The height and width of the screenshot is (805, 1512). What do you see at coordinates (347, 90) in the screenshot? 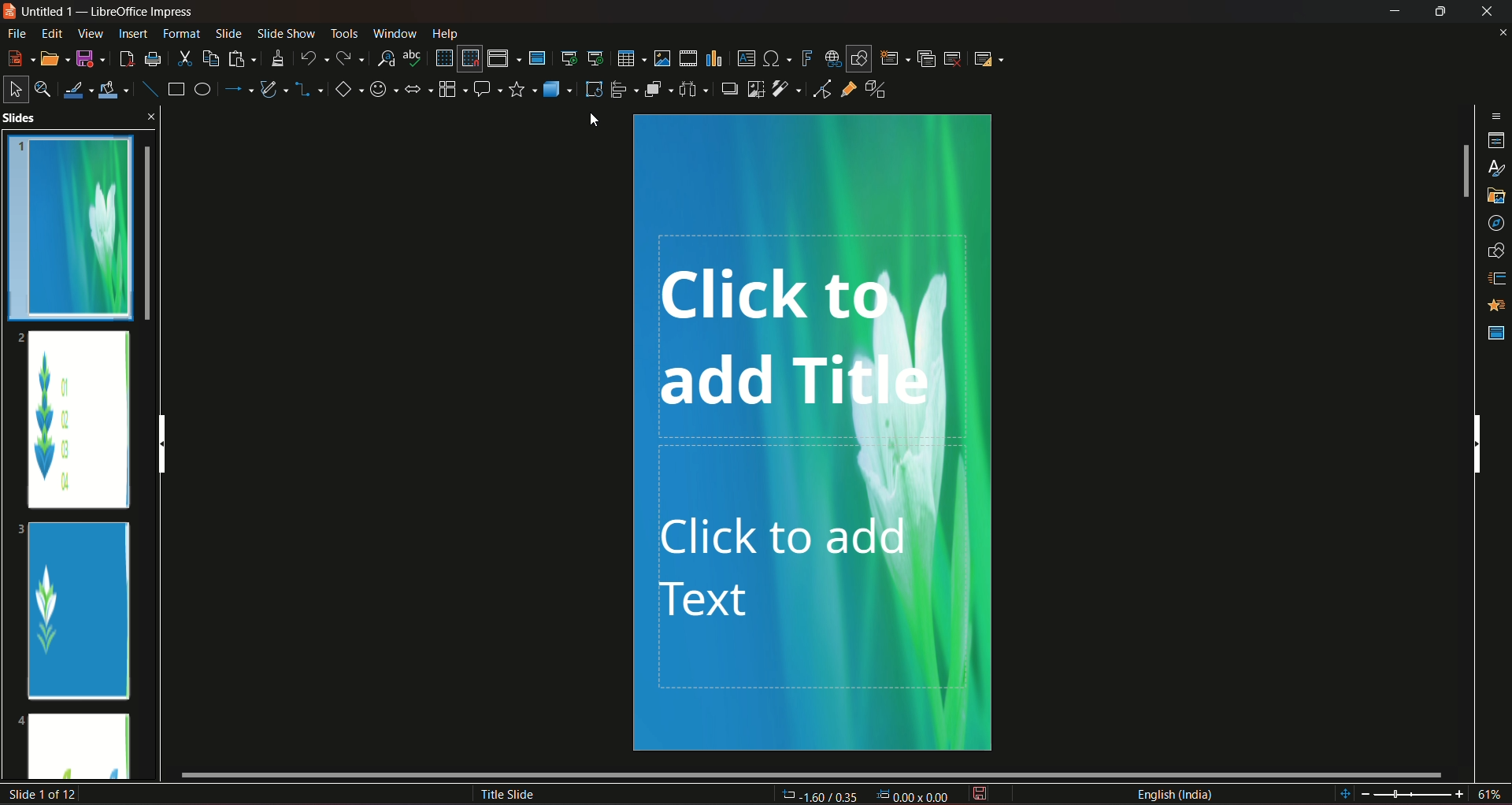
I see `basic shapes` at bounding box center [347, 90].